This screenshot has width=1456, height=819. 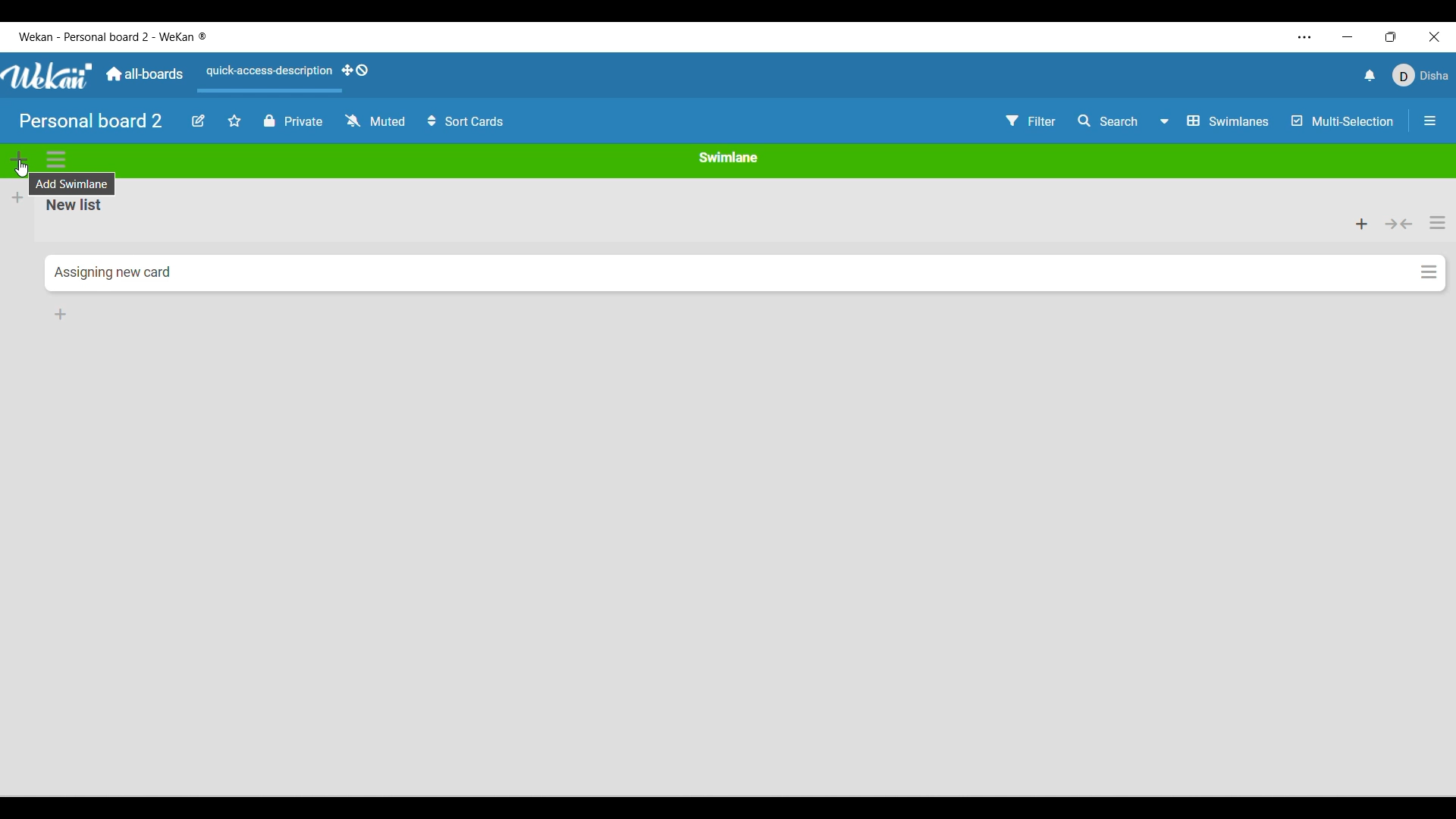 I want to click on Swimlane actions, so click(x=56, y=160).